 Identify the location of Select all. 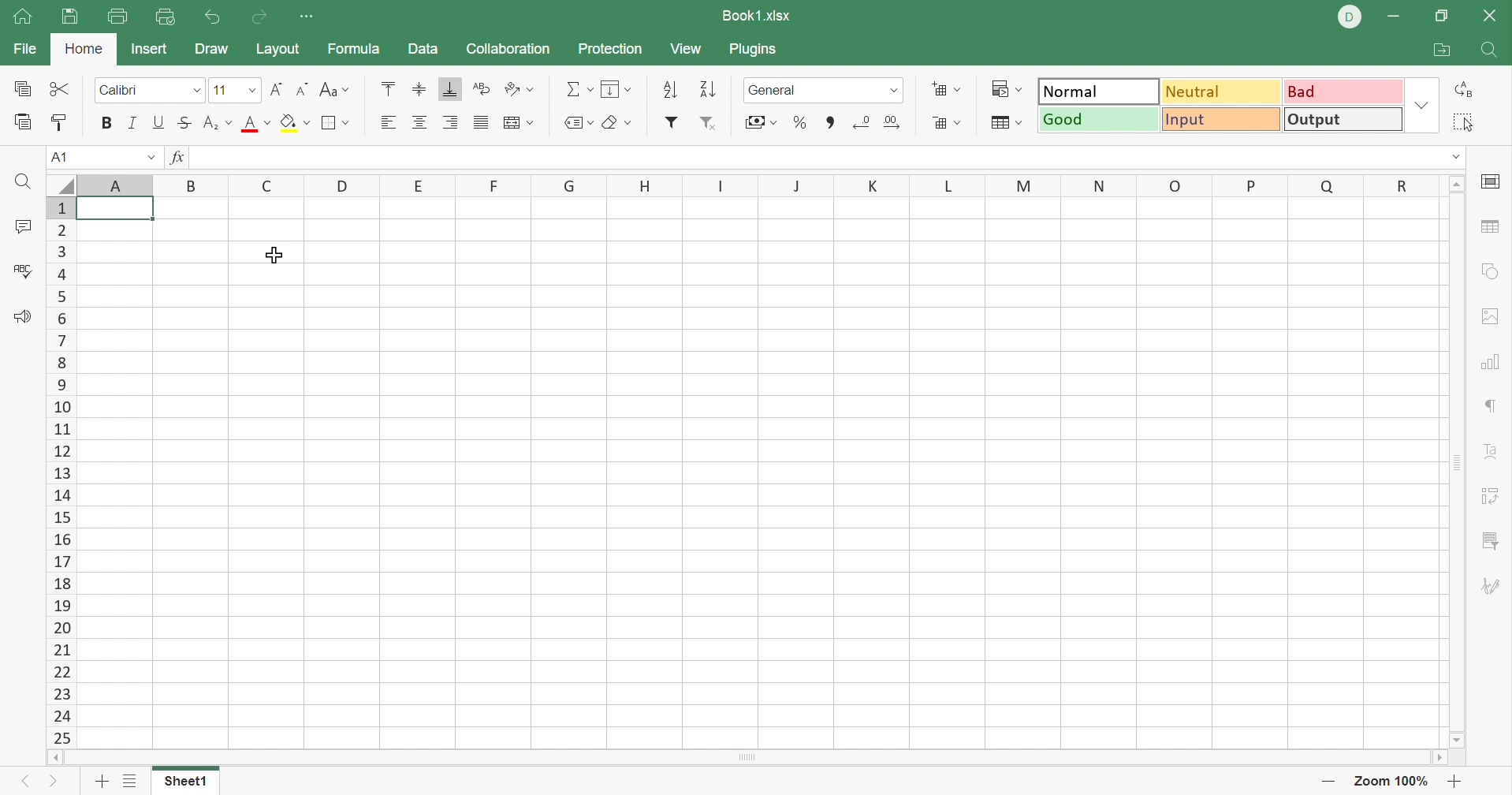
(1463, 121).